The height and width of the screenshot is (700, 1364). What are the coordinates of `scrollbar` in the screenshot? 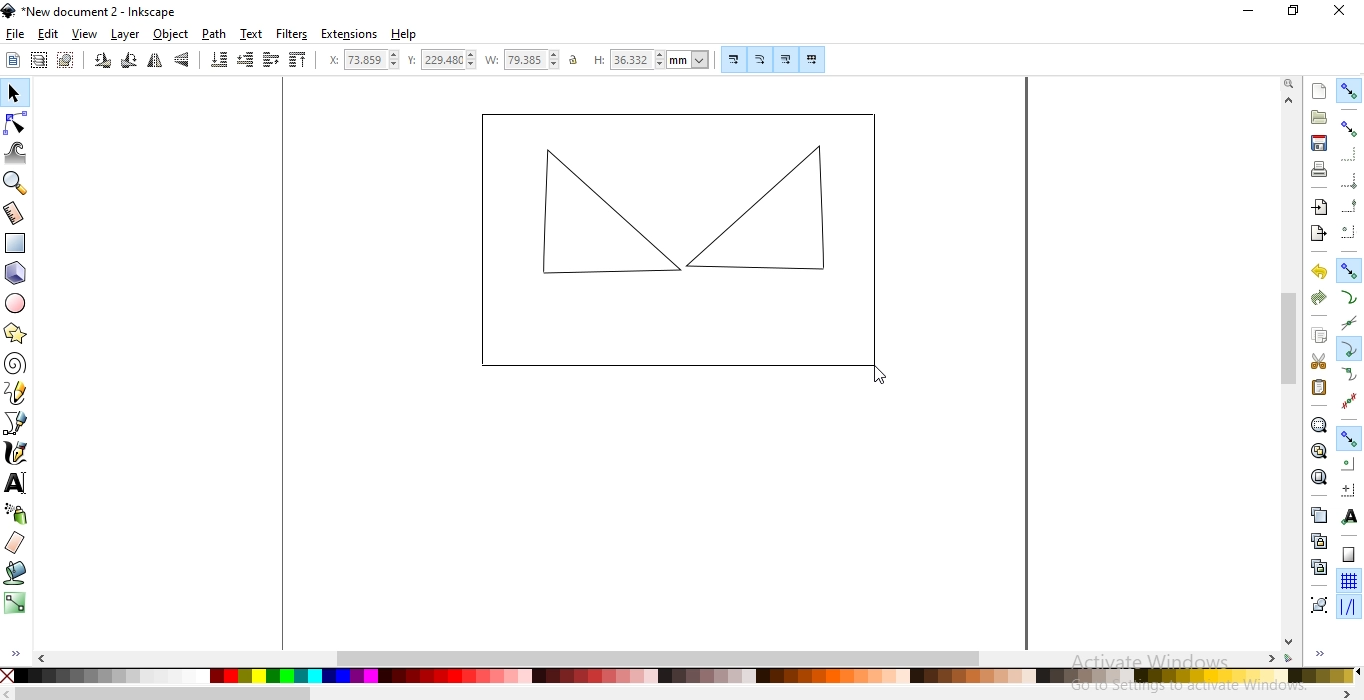 It's located at (688, 693).